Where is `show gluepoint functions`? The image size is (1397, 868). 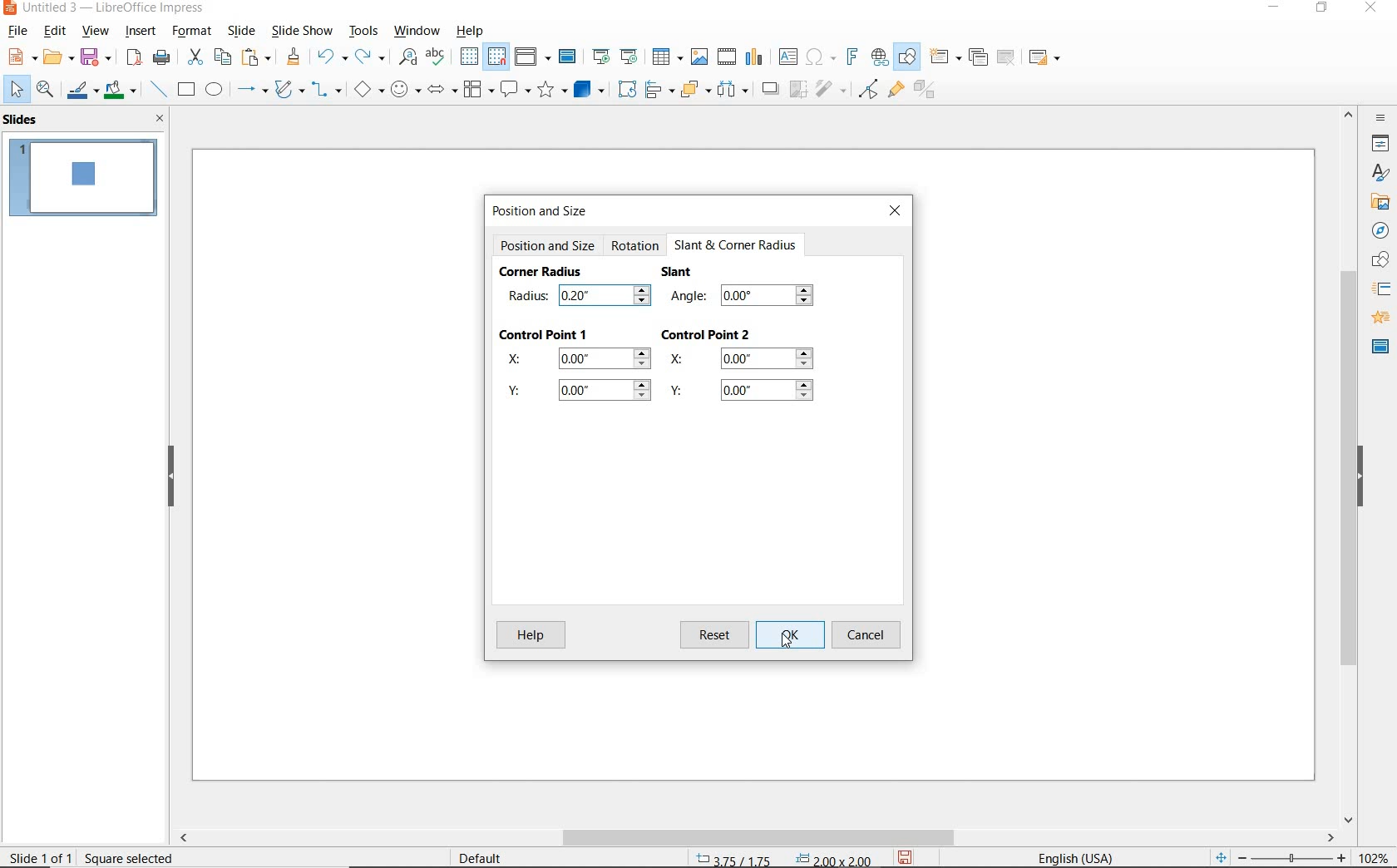 show gluepoint functions is located at coordinates (895, 91).